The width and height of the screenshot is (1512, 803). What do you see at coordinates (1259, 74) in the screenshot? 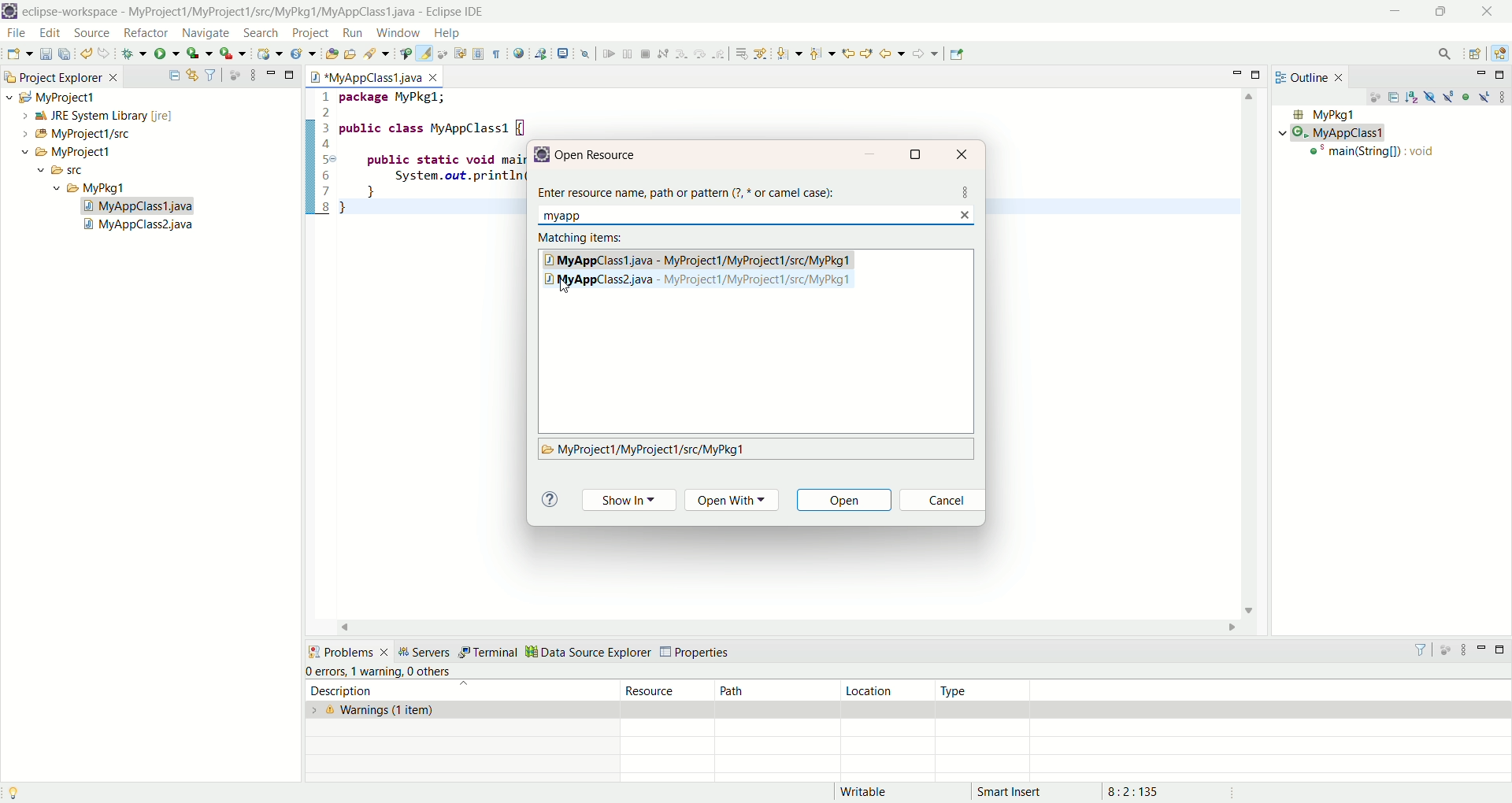
I see `maximize` at bounding box center [1259, 74].